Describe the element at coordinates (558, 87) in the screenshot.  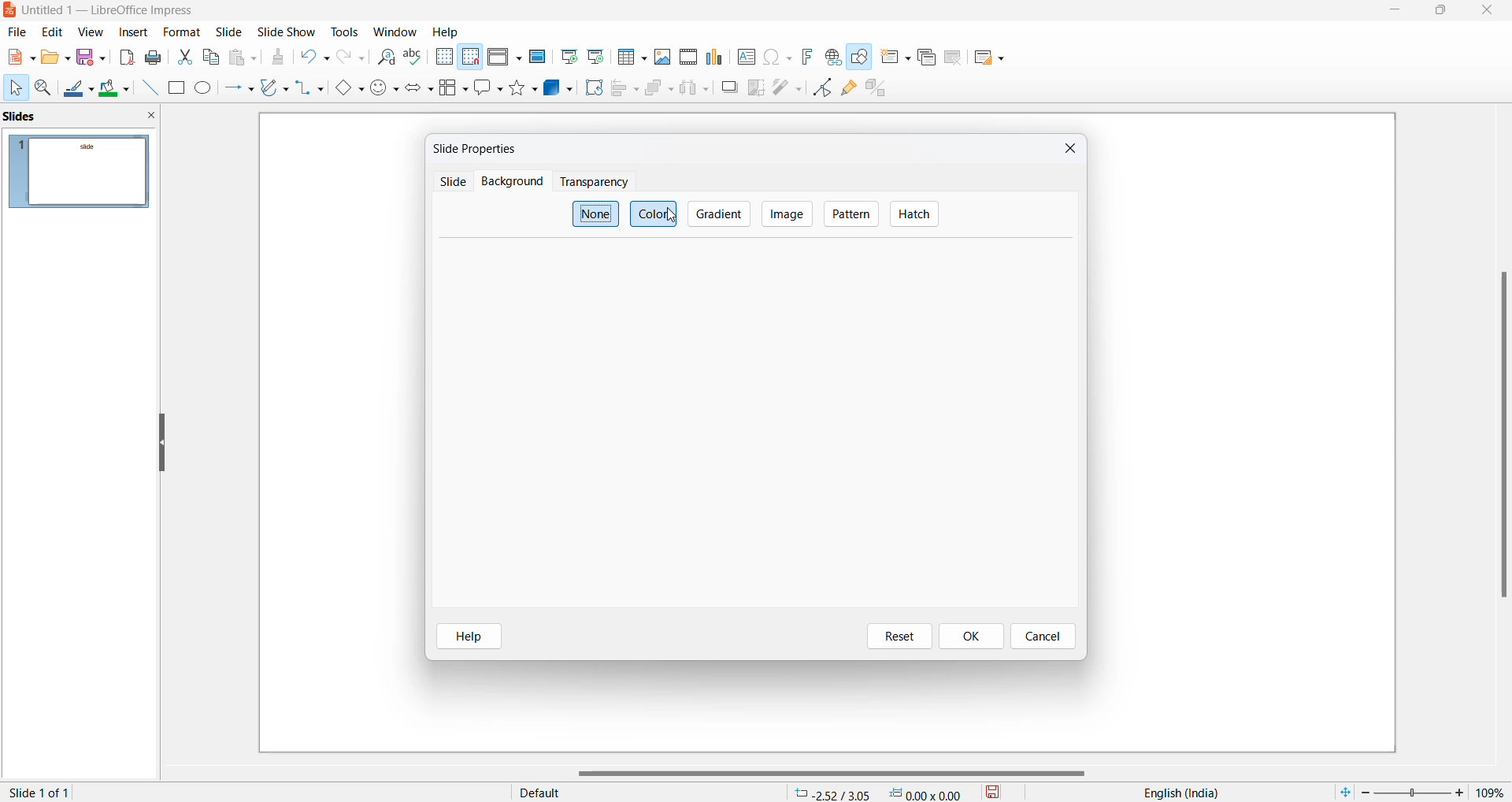
I see `3d objects` at that location.